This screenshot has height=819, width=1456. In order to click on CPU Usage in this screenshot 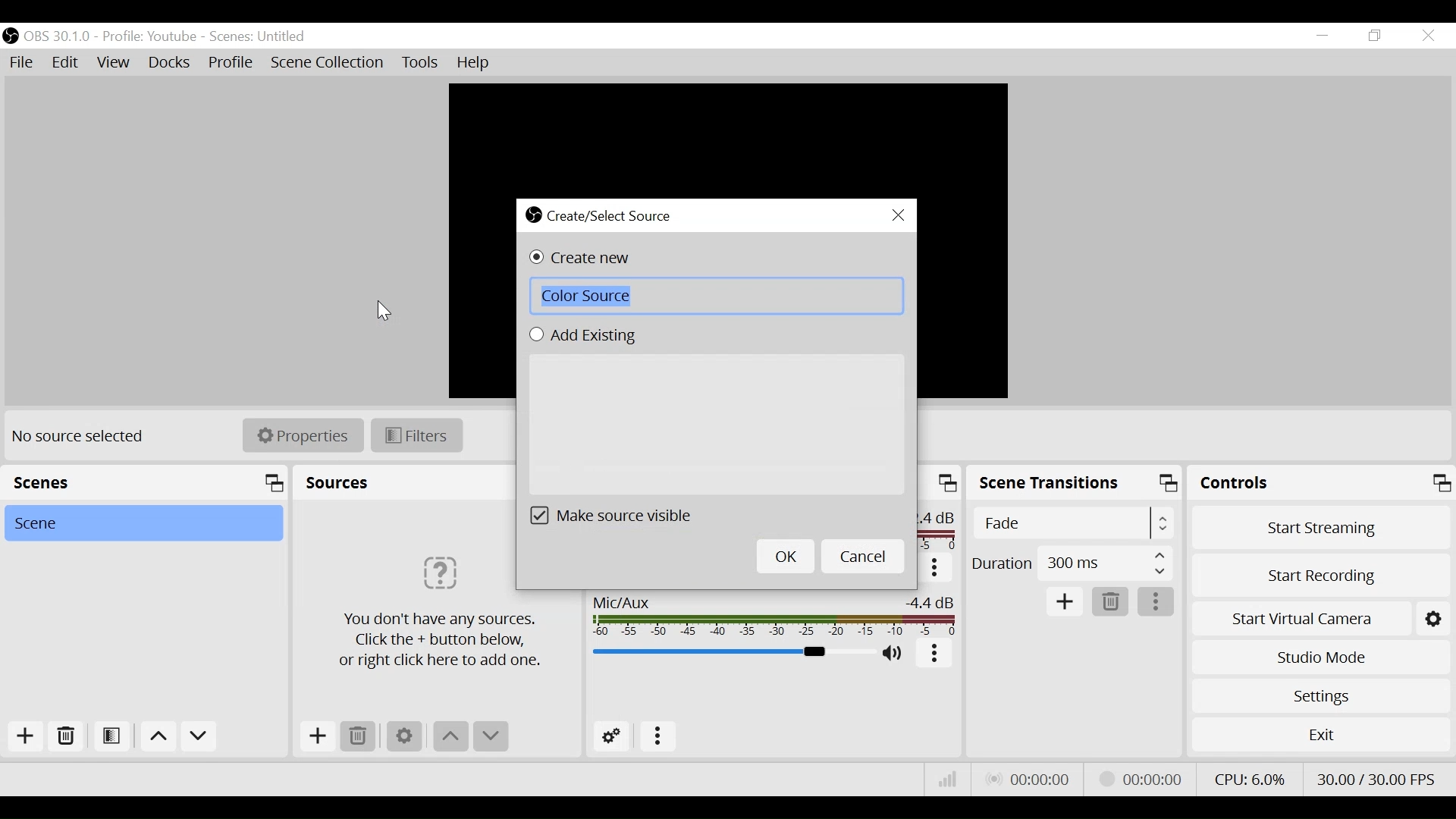, I will do `click(1250, 779)`.